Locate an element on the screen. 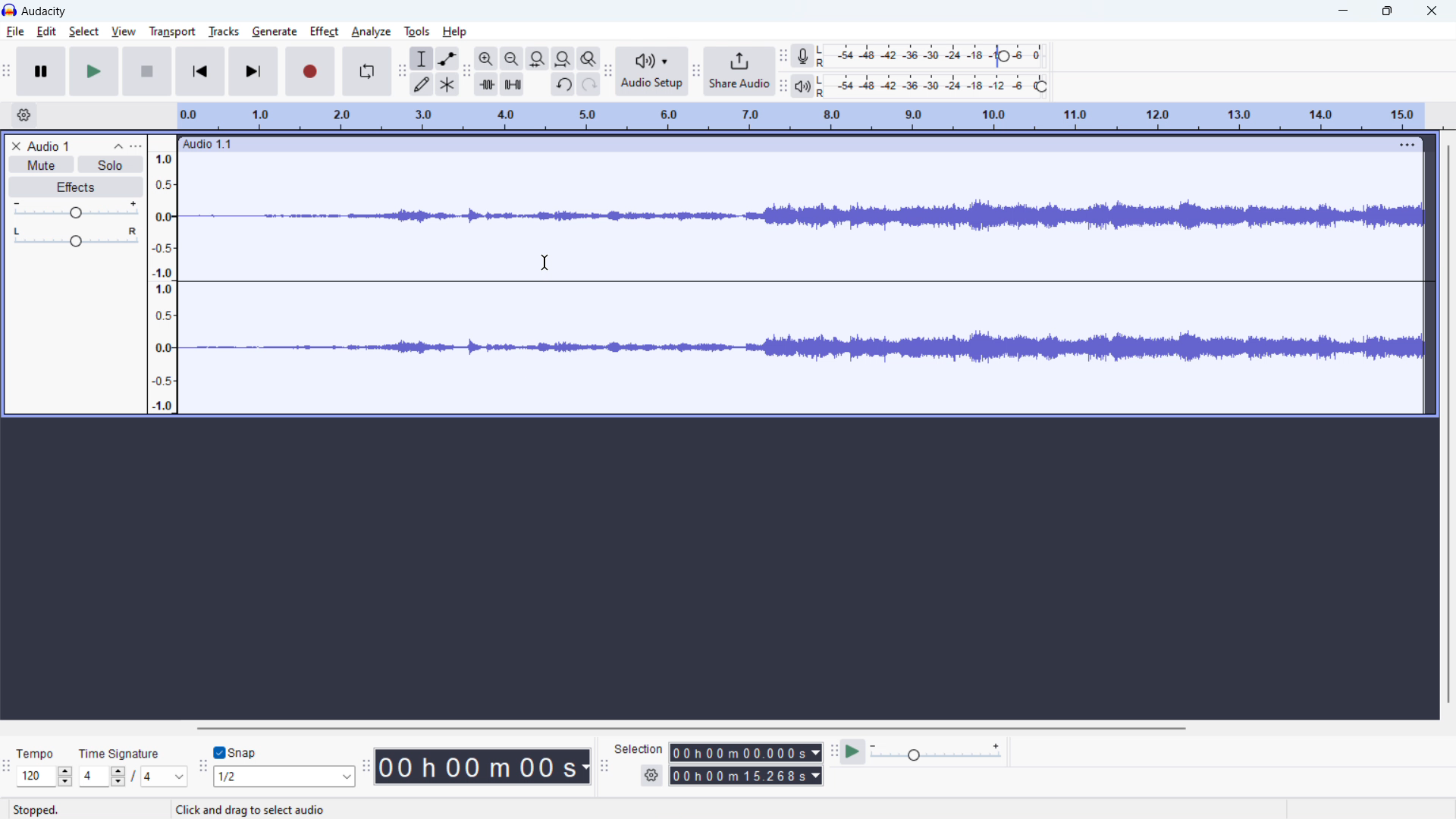 This screenshot has width=1456, height=819. mute is located at coordinates (41, 165).